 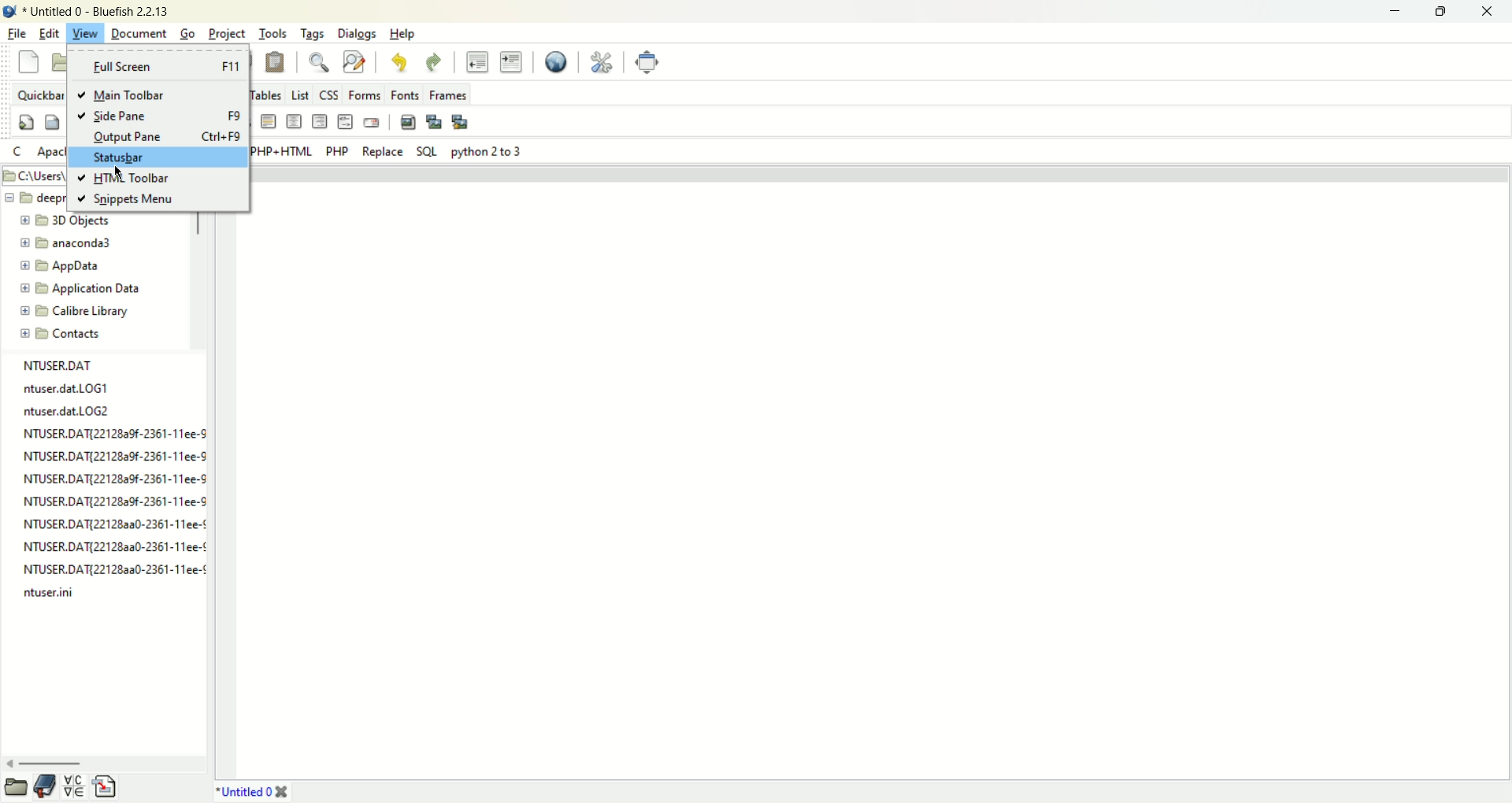 What do you see at coordinates (146, 179) in the screenshot?
I see `HTML toolbar` at bounding box center [146, 179].